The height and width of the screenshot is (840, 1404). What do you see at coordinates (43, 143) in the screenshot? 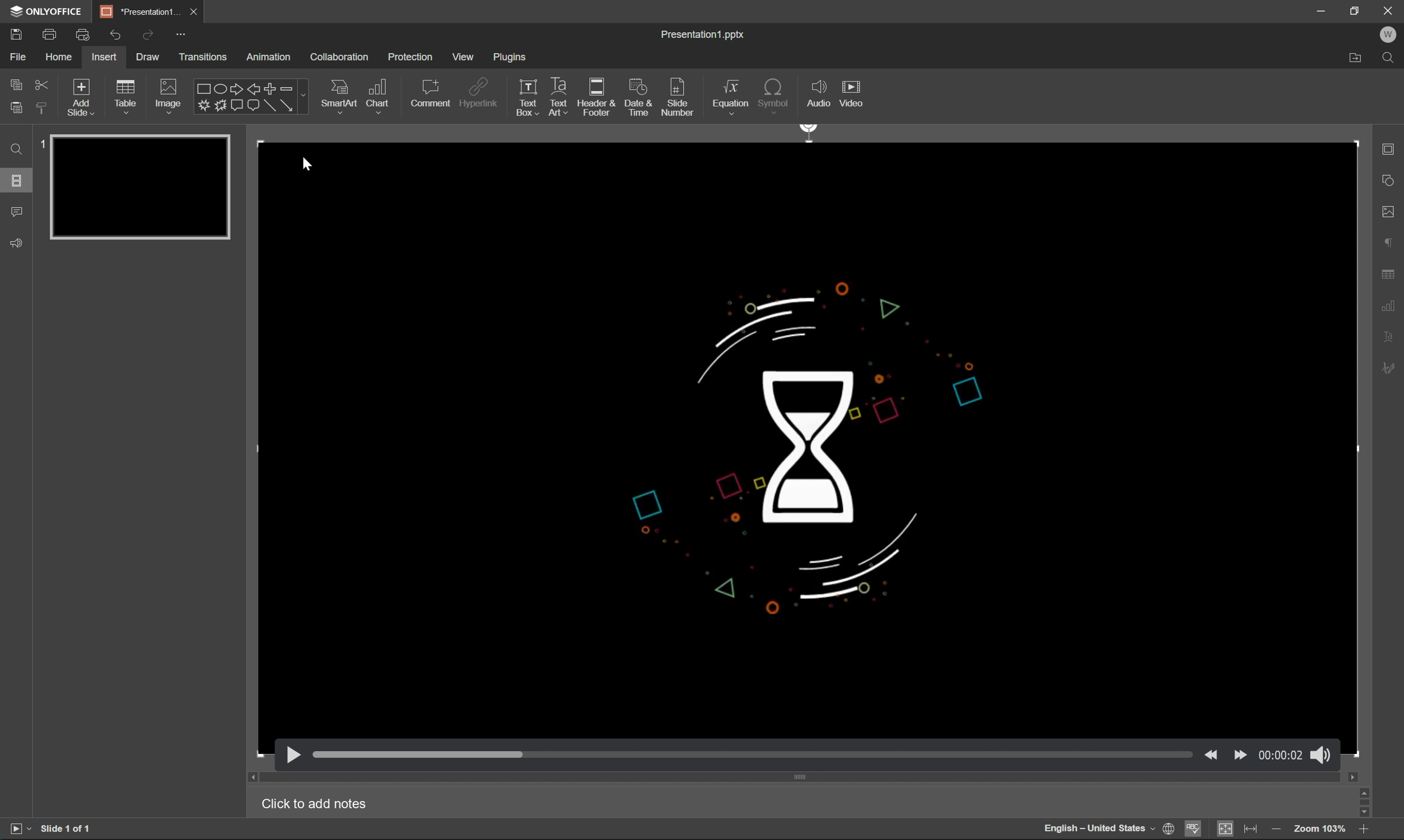
I see `1` at bounding box center [43, 143].